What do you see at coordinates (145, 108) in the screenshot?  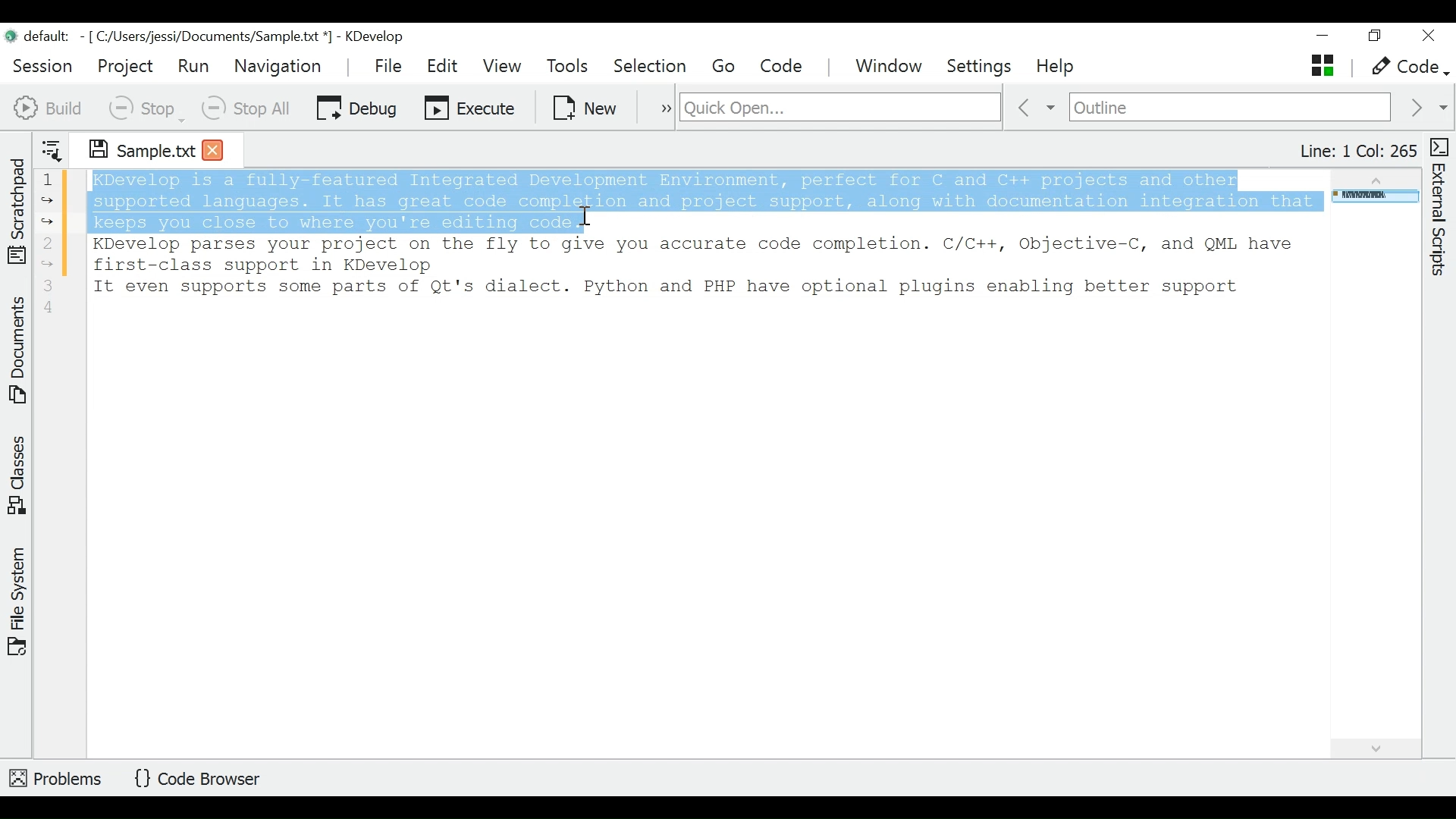 I see `Stop` at bounding box center [145, 108].